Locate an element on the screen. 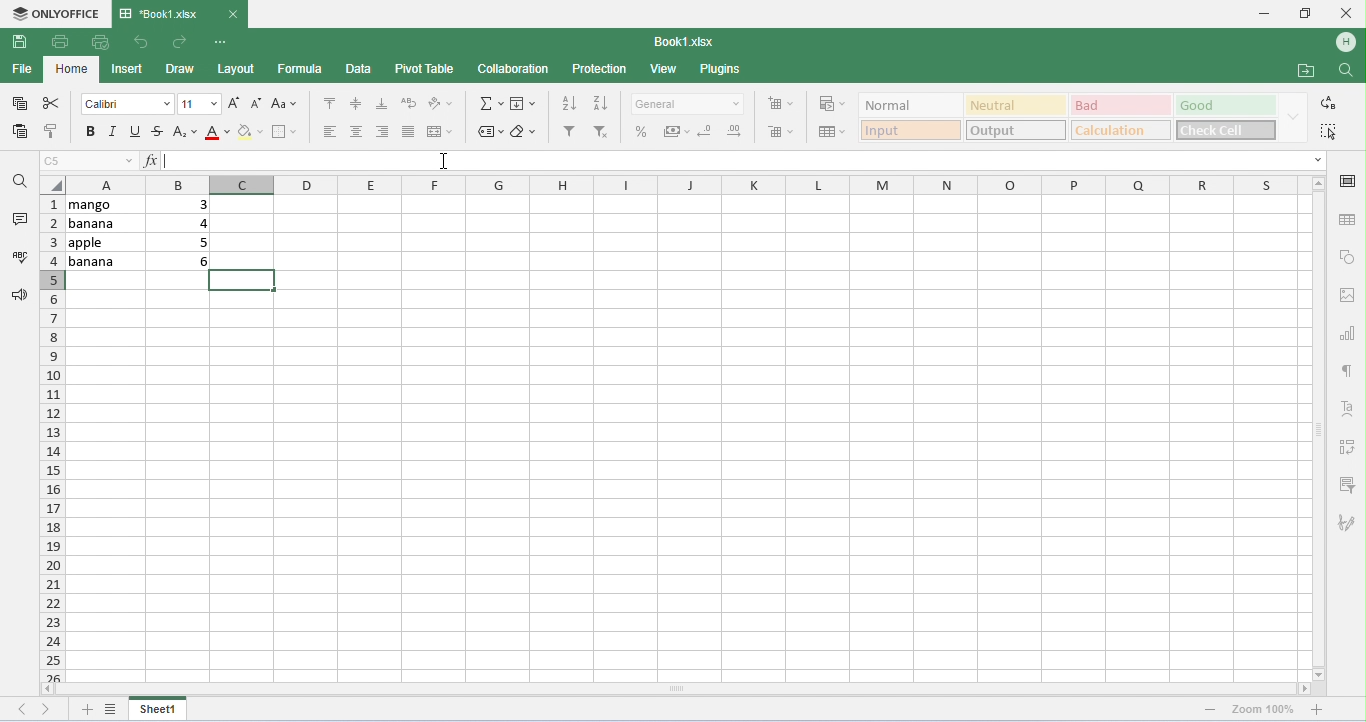  onlyoffice is located at coordinates (56, 14).